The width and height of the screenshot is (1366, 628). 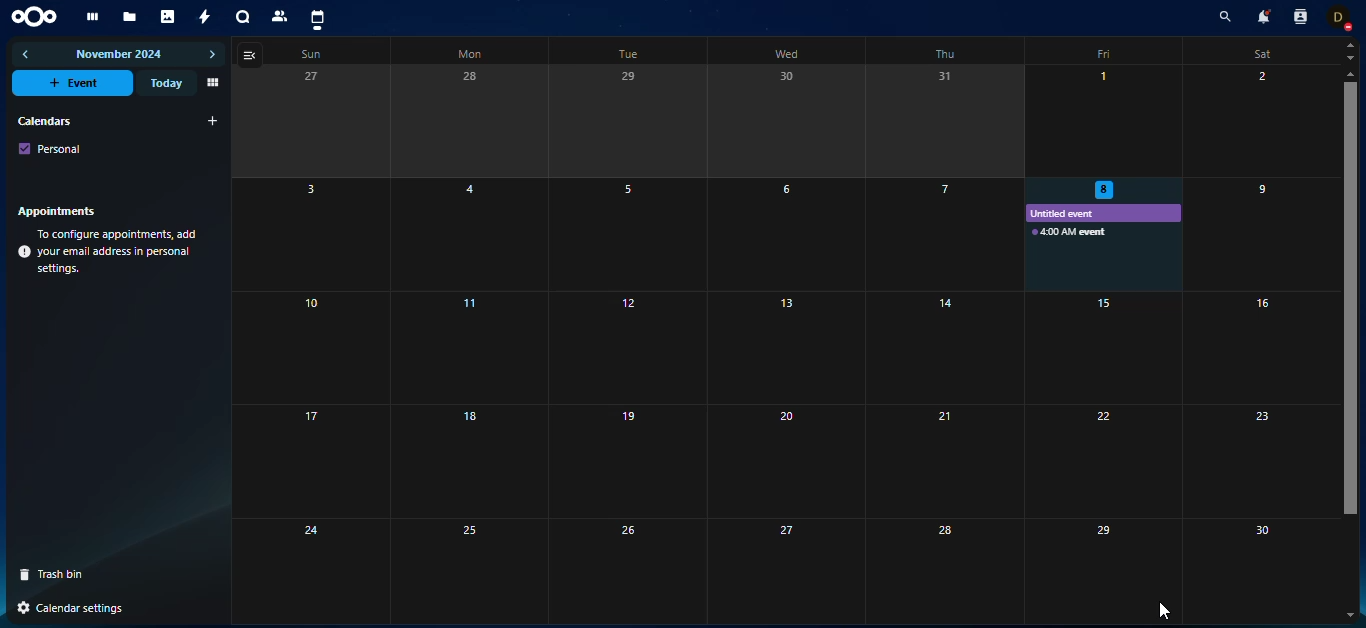 I want to click on 13, so click(x=787, y=347).